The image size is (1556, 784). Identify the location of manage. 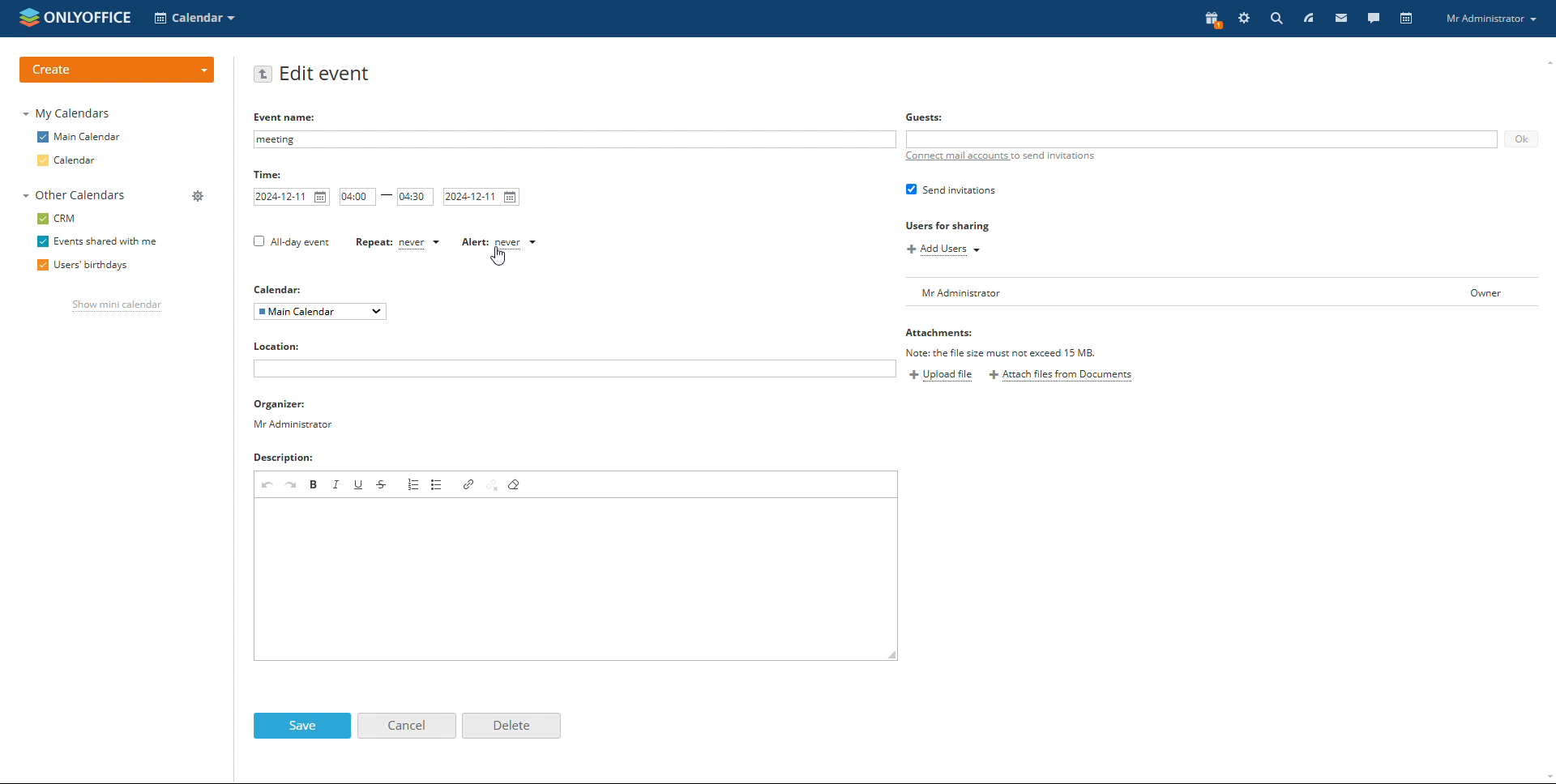
(196, 195).